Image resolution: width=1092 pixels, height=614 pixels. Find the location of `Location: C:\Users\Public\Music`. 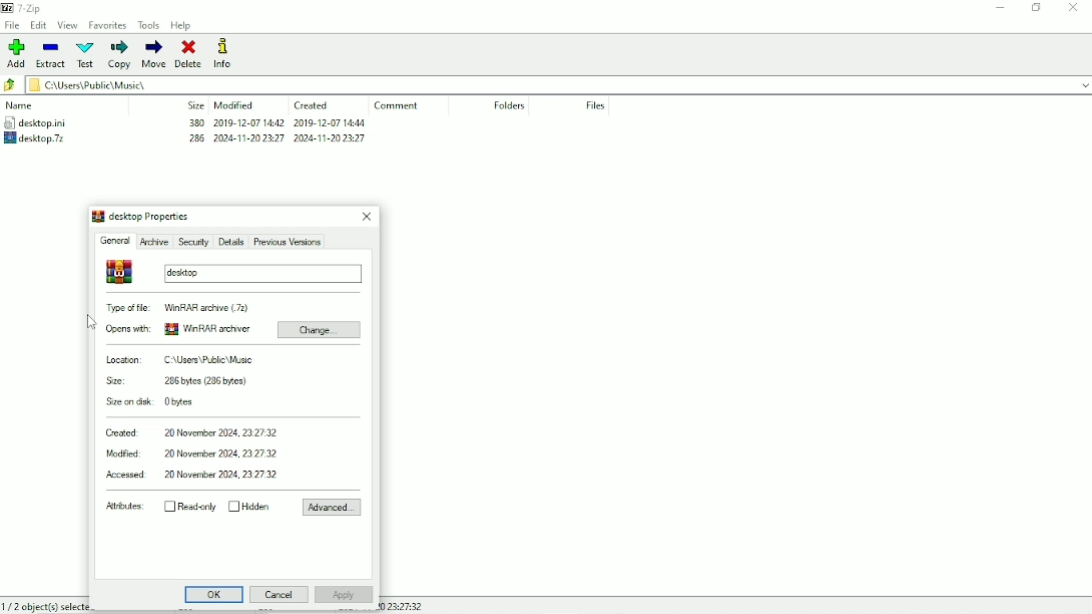

Location: C:\Users\Public\Music is located at coordinates (179, 361).